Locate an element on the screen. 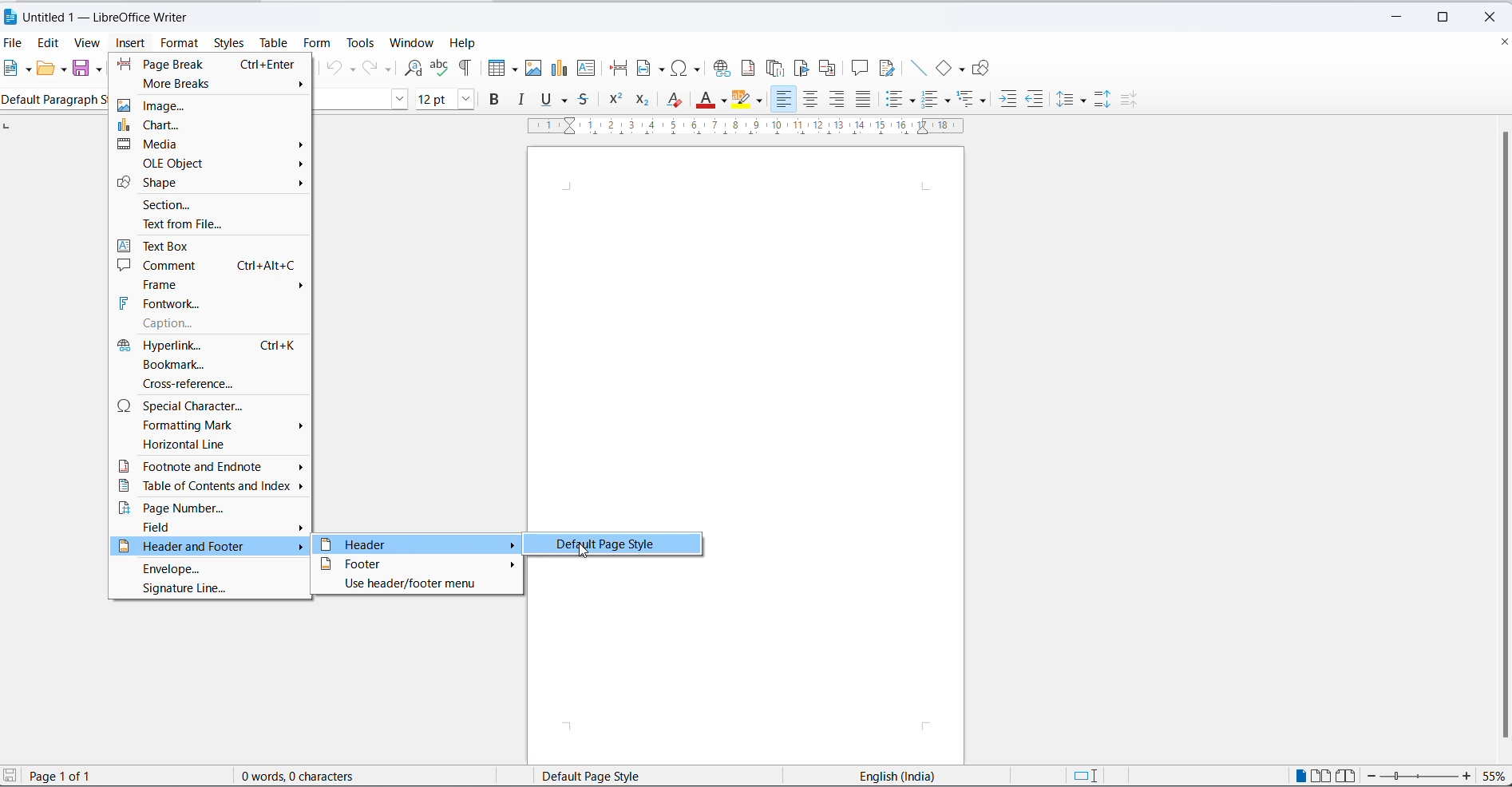 Image resolution: width=1512 pixels, height=787 pixels. insert field is located at coordinates (649, 69).